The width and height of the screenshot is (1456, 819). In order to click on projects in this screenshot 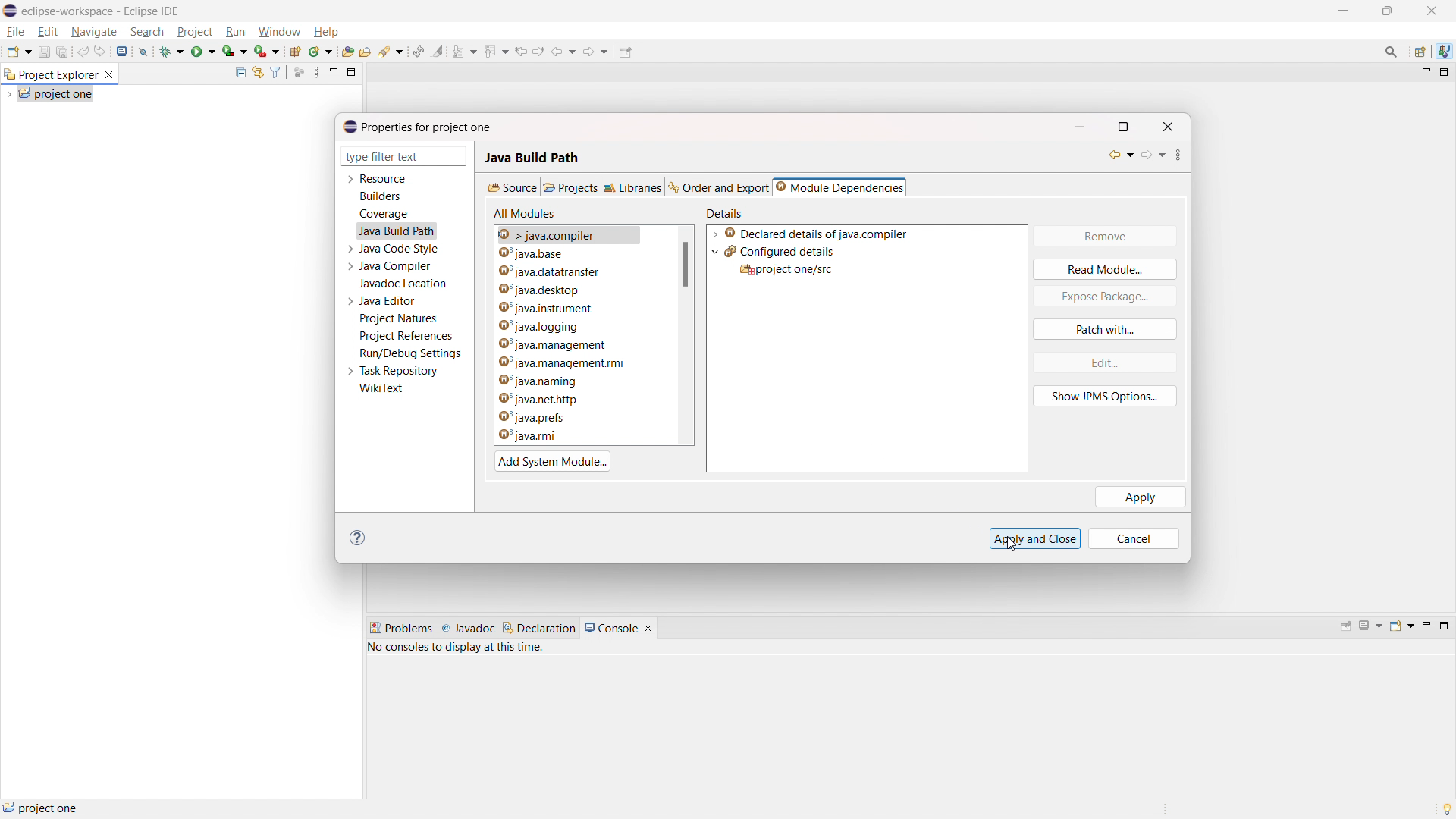, I will do `click(570, 187)`.